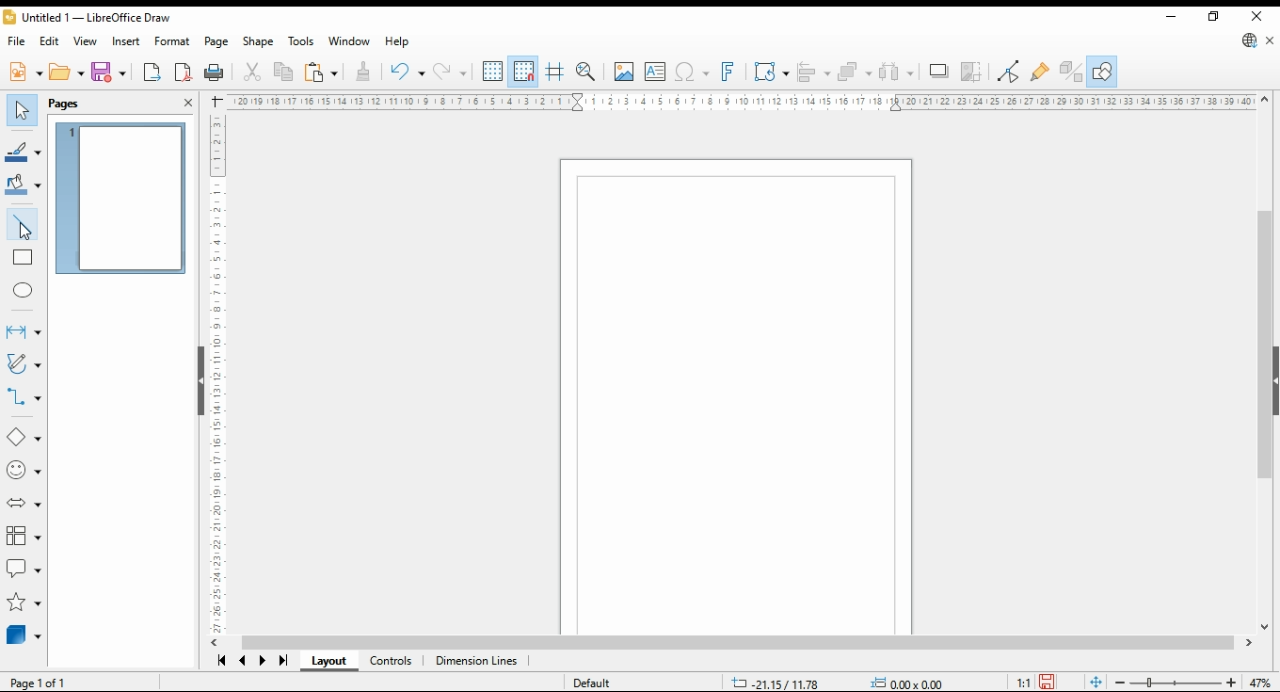  What do you see at coordinates (907, 683) in the screenshot?
I see `0.00x0.00` at bounding box center [907, 683].